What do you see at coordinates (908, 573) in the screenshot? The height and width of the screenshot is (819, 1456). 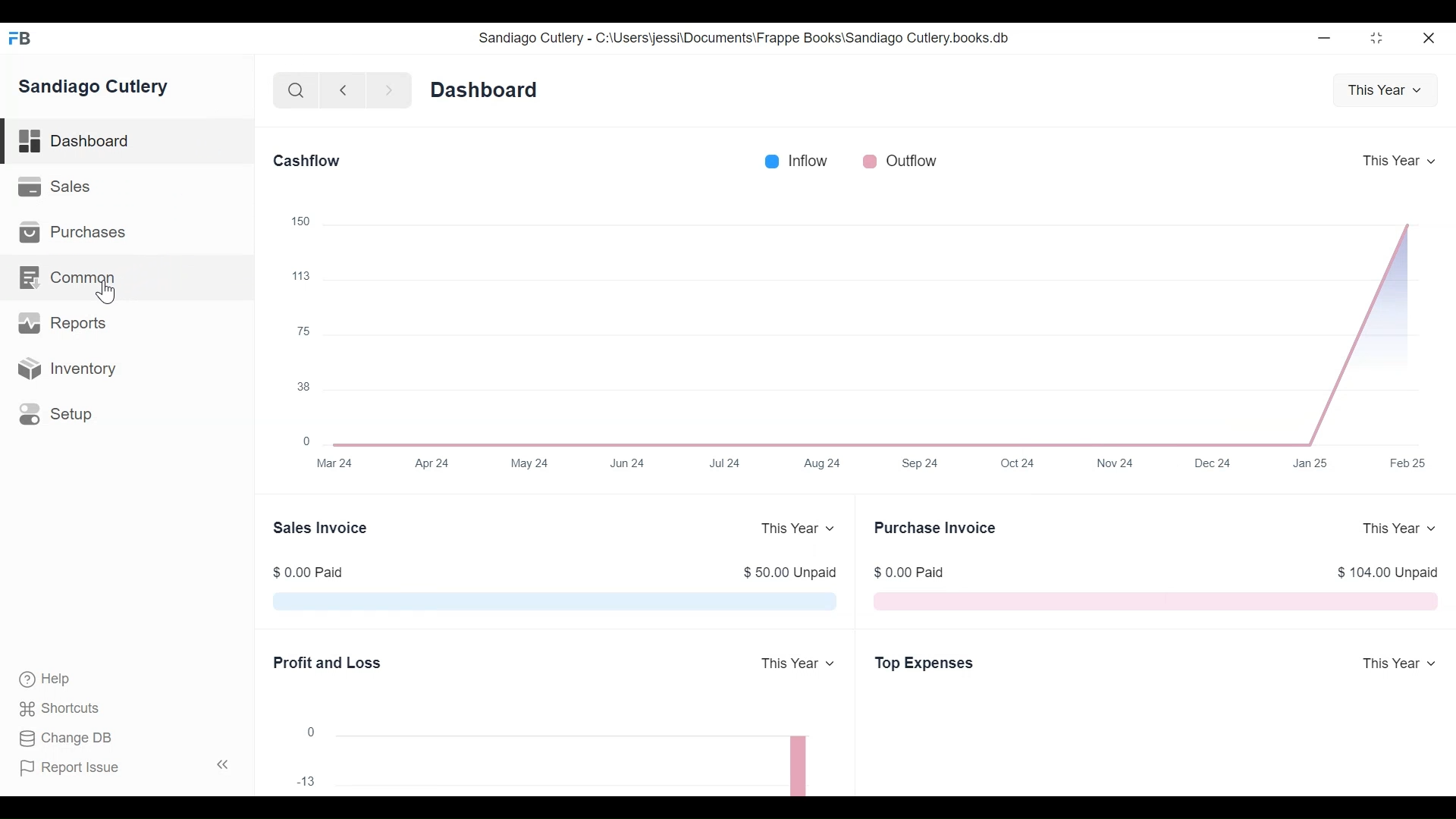 I see `$0.00 Paid` at bounding box center [908, 573].